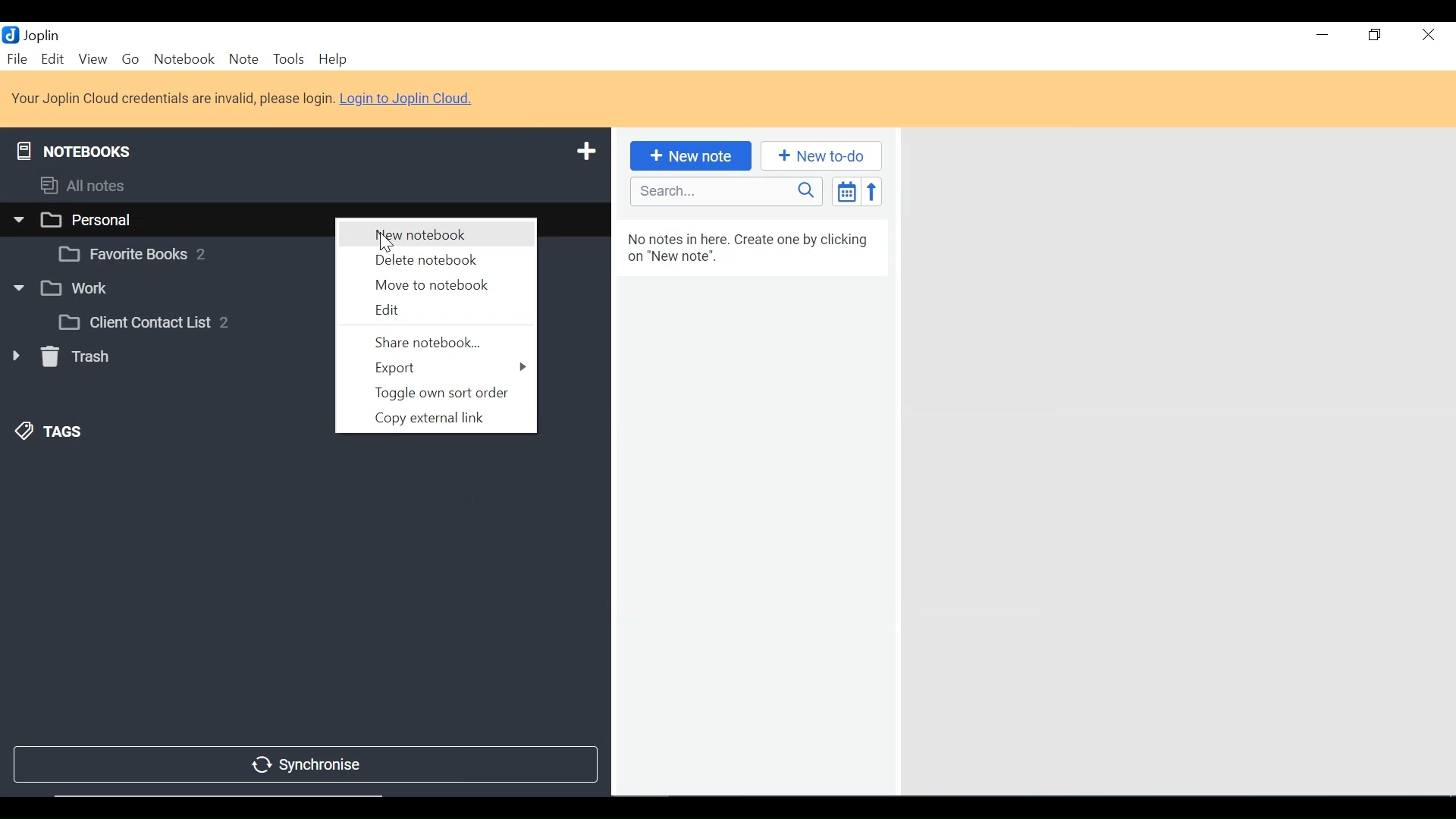 Image resolution: width=1456 pixels, height=819 pixels. Describe the element at coordinates (133, 61) in the screenshot. I see `Go` at that location.